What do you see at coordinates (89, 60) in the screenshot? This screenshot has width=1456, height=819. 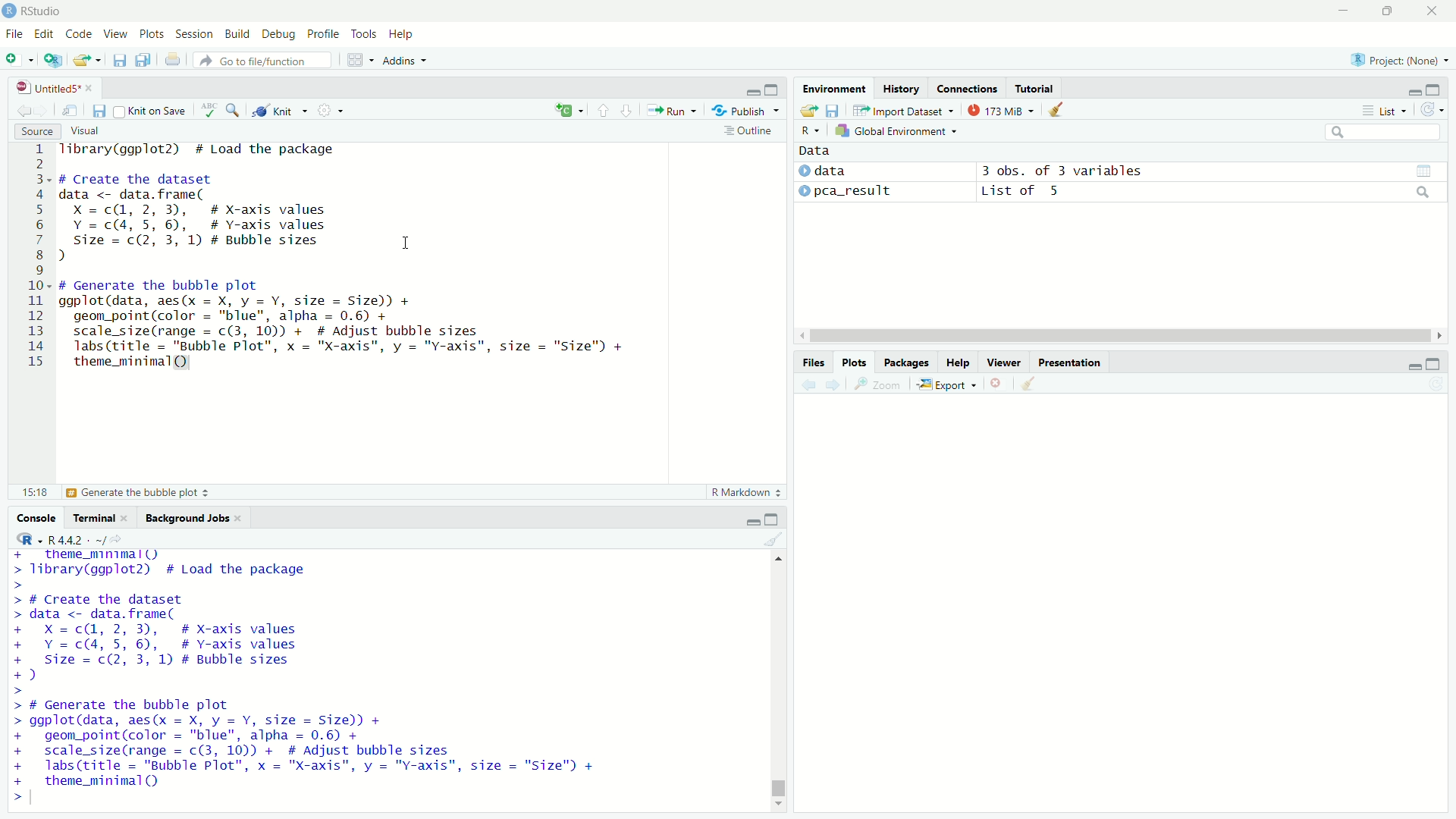 I see `load workspace` at bounding box center [89, 60].